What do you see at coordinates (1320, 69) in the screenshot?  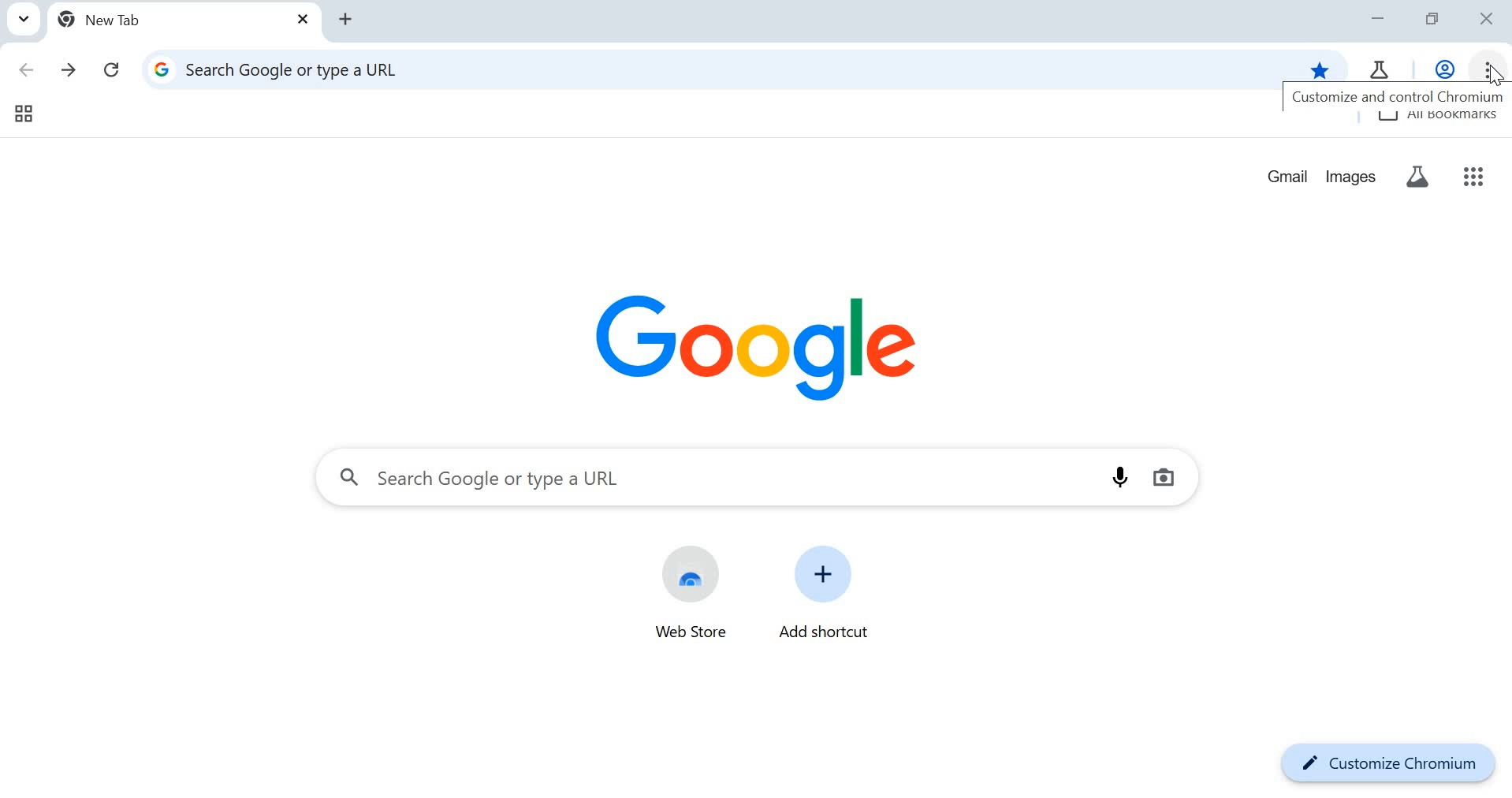 I see `bookmark` at bounding box center [1320, 69].